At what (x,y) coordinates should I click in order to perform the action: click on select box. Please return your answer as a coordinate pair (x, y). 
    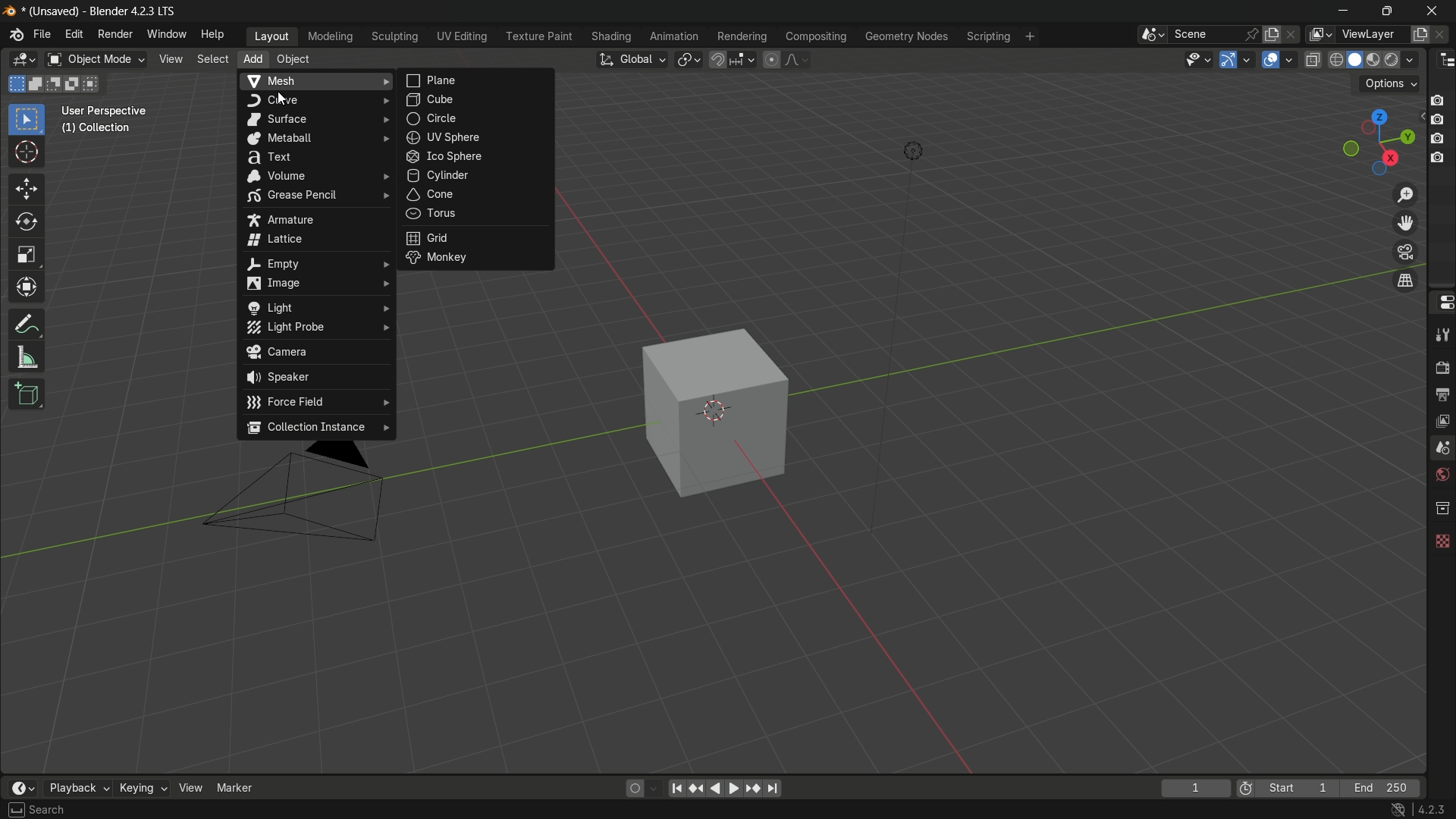
    Looking at the image, I should click on (27, 121).